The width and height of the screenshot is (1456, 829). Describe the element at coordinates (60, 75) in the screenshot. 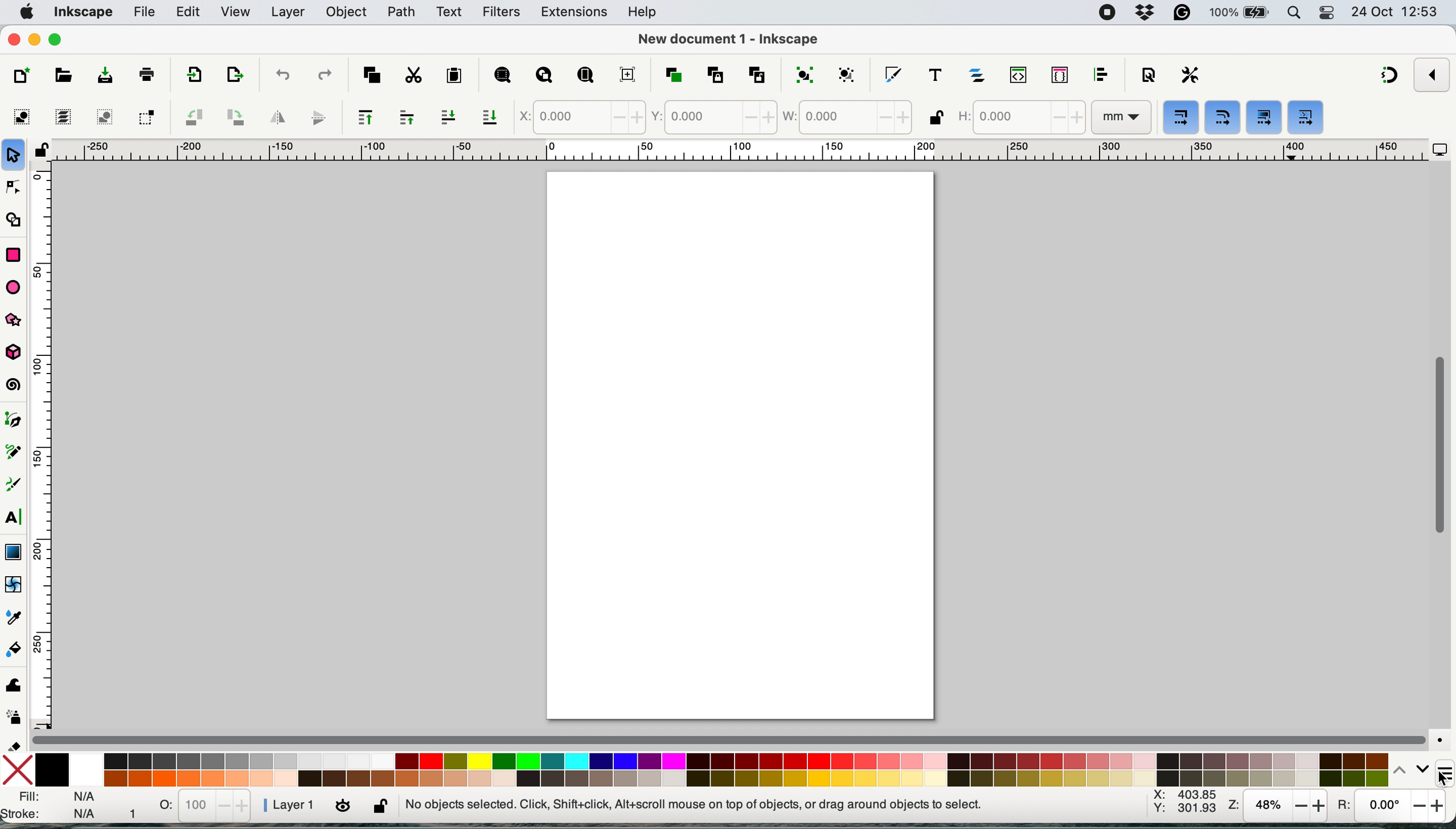

I see `open` at that location.